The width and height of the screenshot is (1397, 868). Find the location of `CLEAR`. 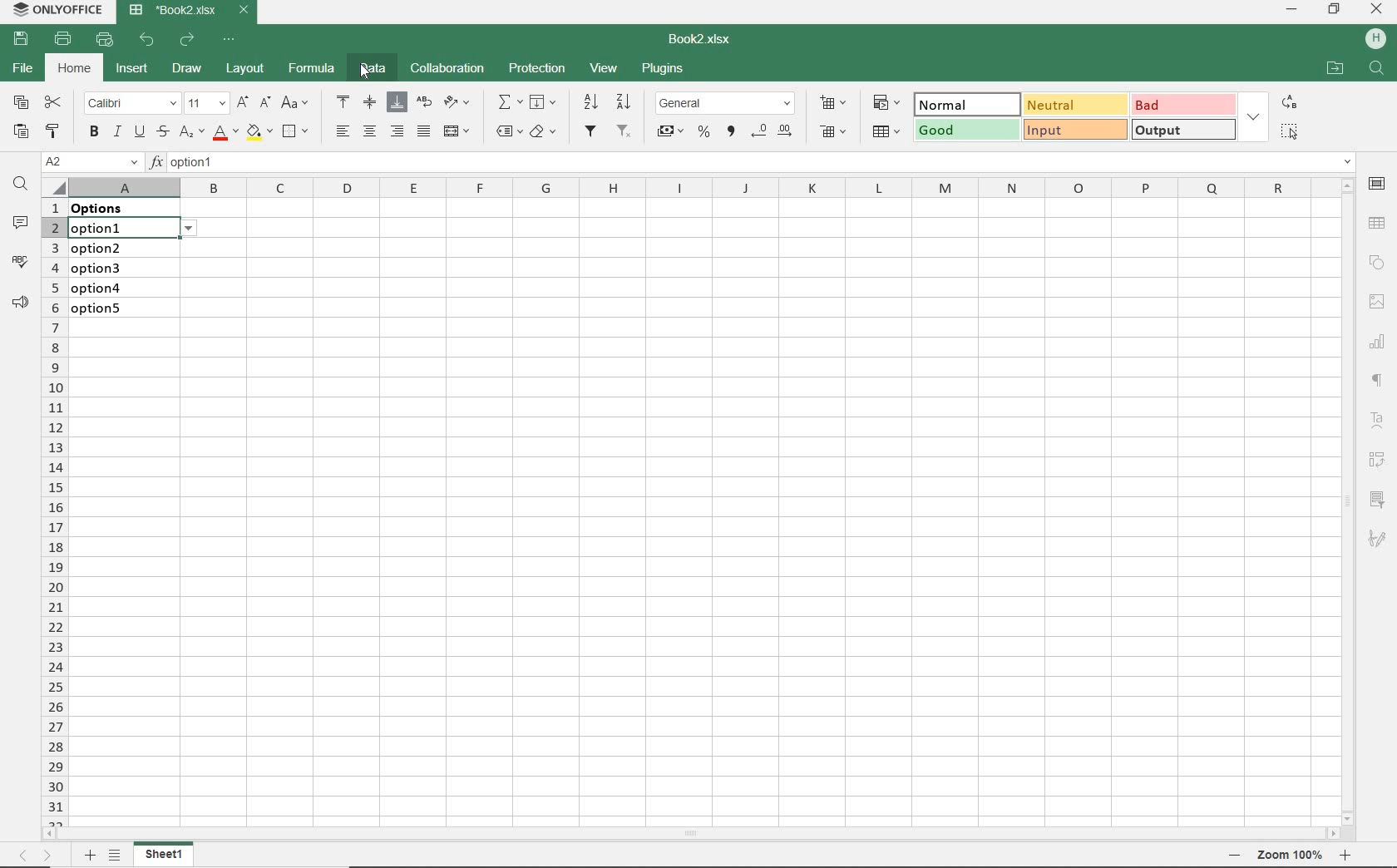

CLEAR is located at coordinates (545, 131).